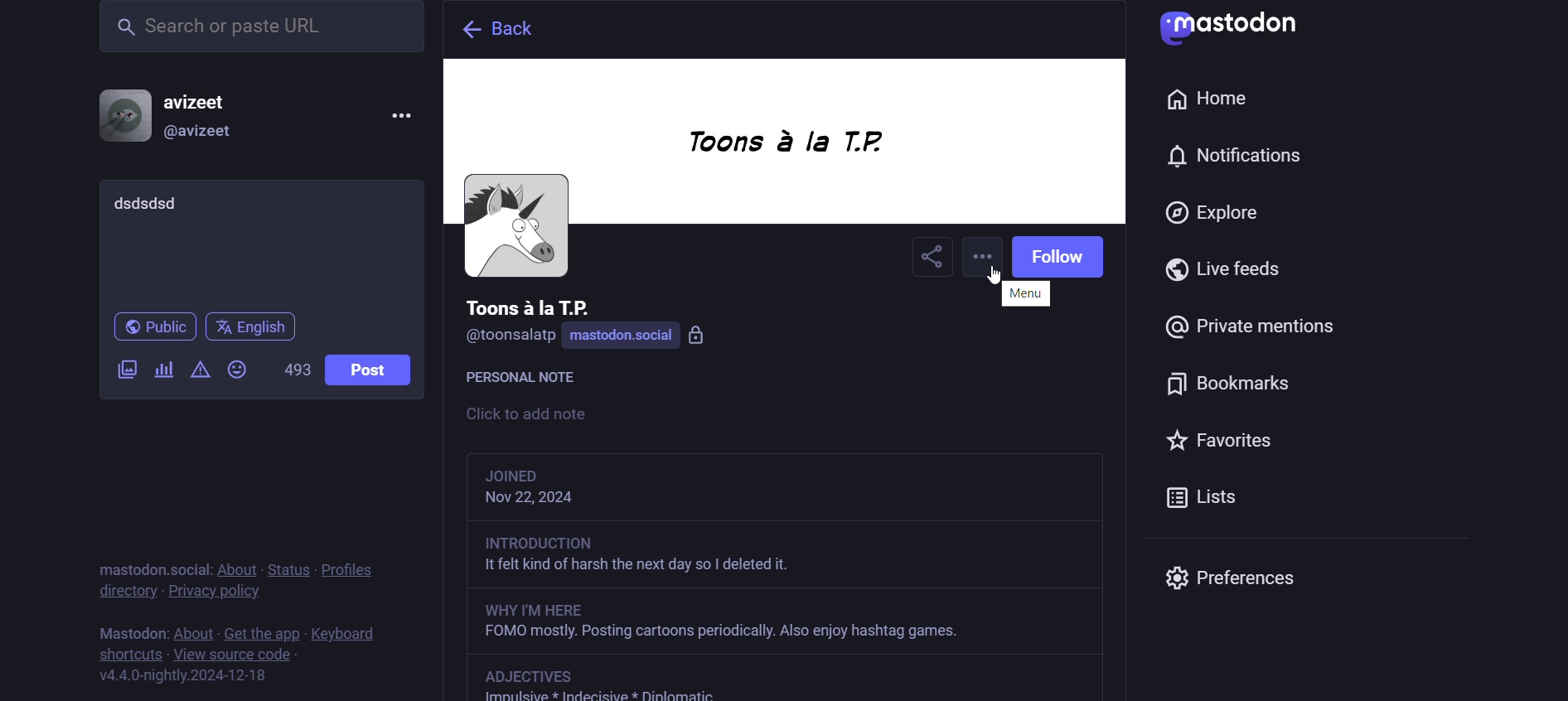 This screenshot has height=701, width=1568. What do you see at coordinates (162, 374) in the screenshot?
I see `add a poll` at bounding box center [162, 374].